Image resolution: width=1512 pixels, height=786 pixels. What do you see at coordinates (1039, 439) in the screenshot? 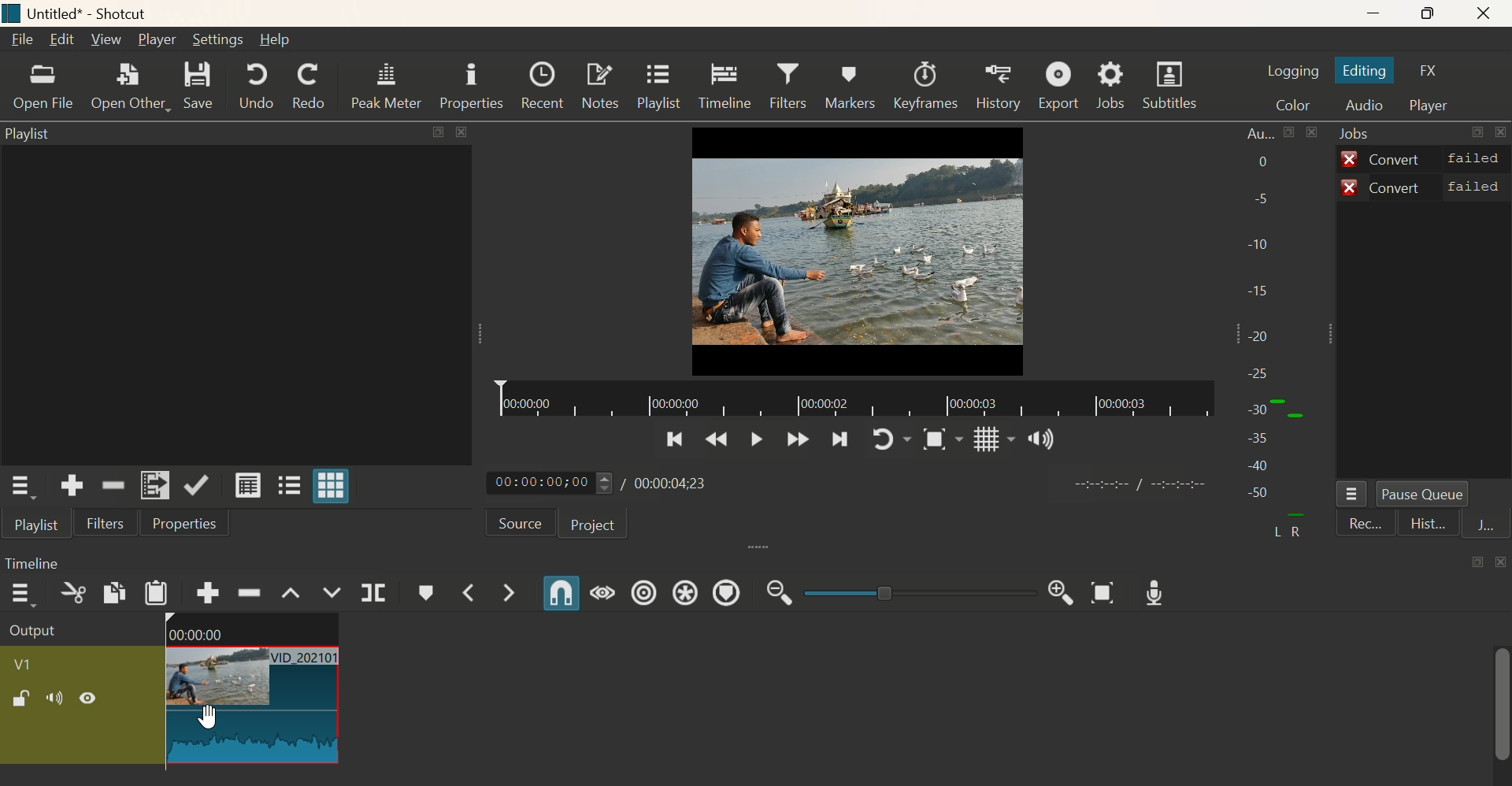
I see `Sound` at bounding box center [1039, 439].